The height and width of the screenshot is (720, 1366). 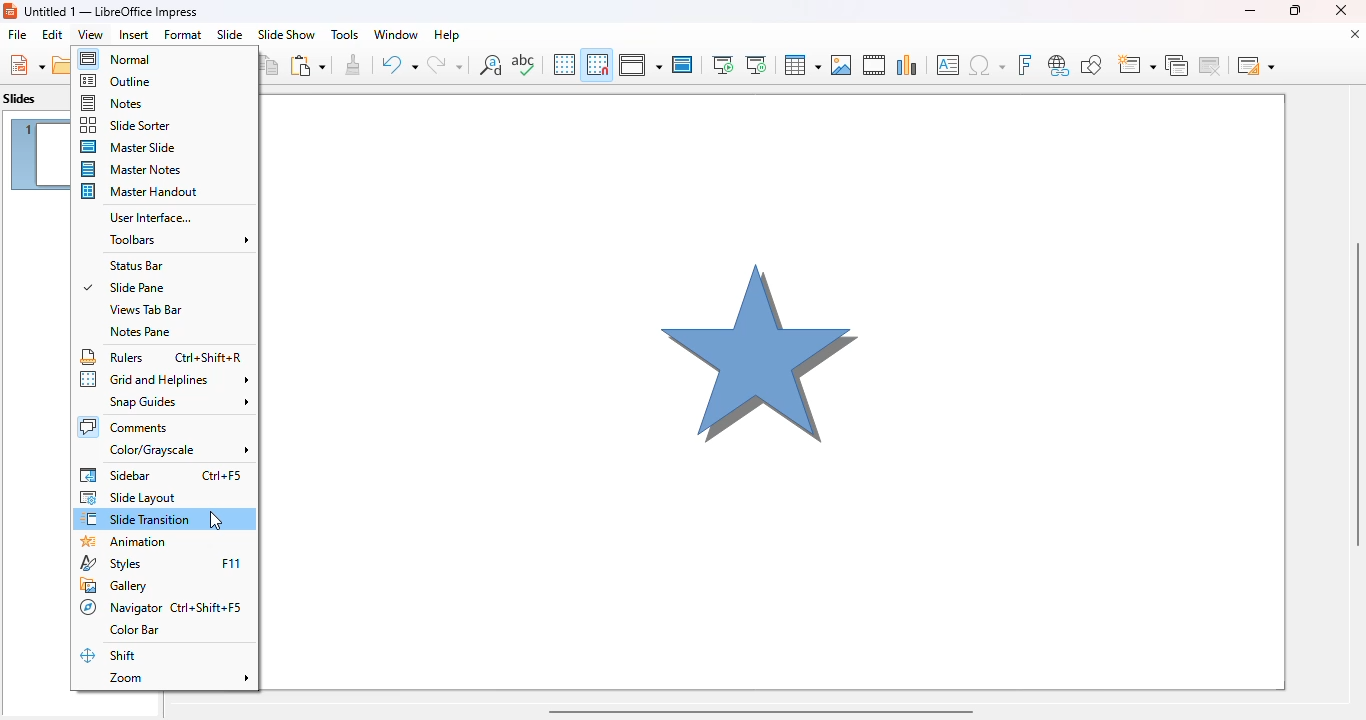 I want to click on insert fontwork text, so click(x=1024, y=65).